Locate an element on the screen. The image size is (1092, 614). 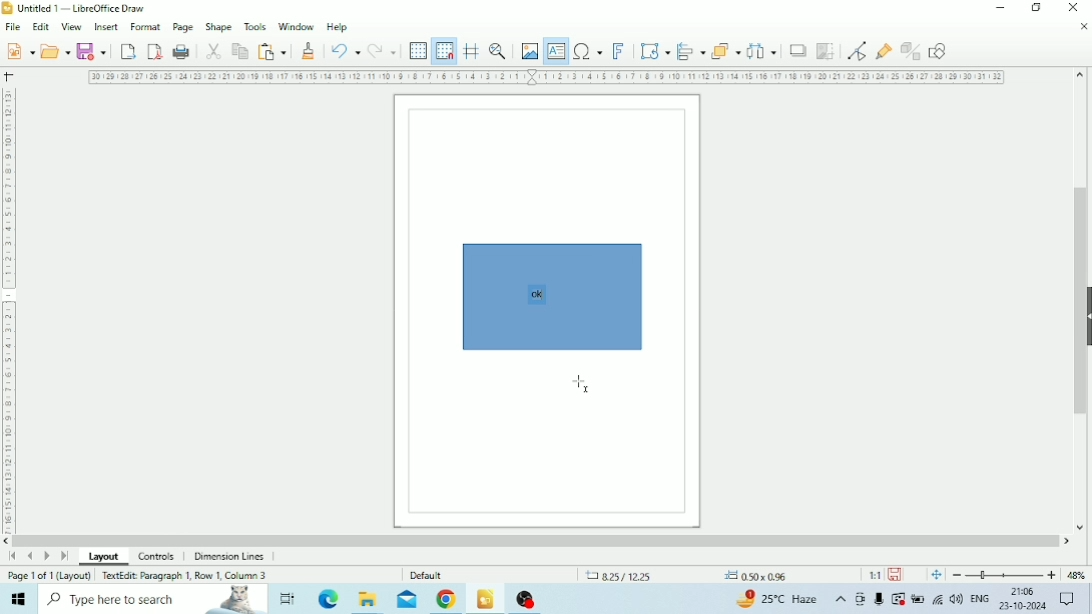
Cursor is located at coordinates (583, 383).